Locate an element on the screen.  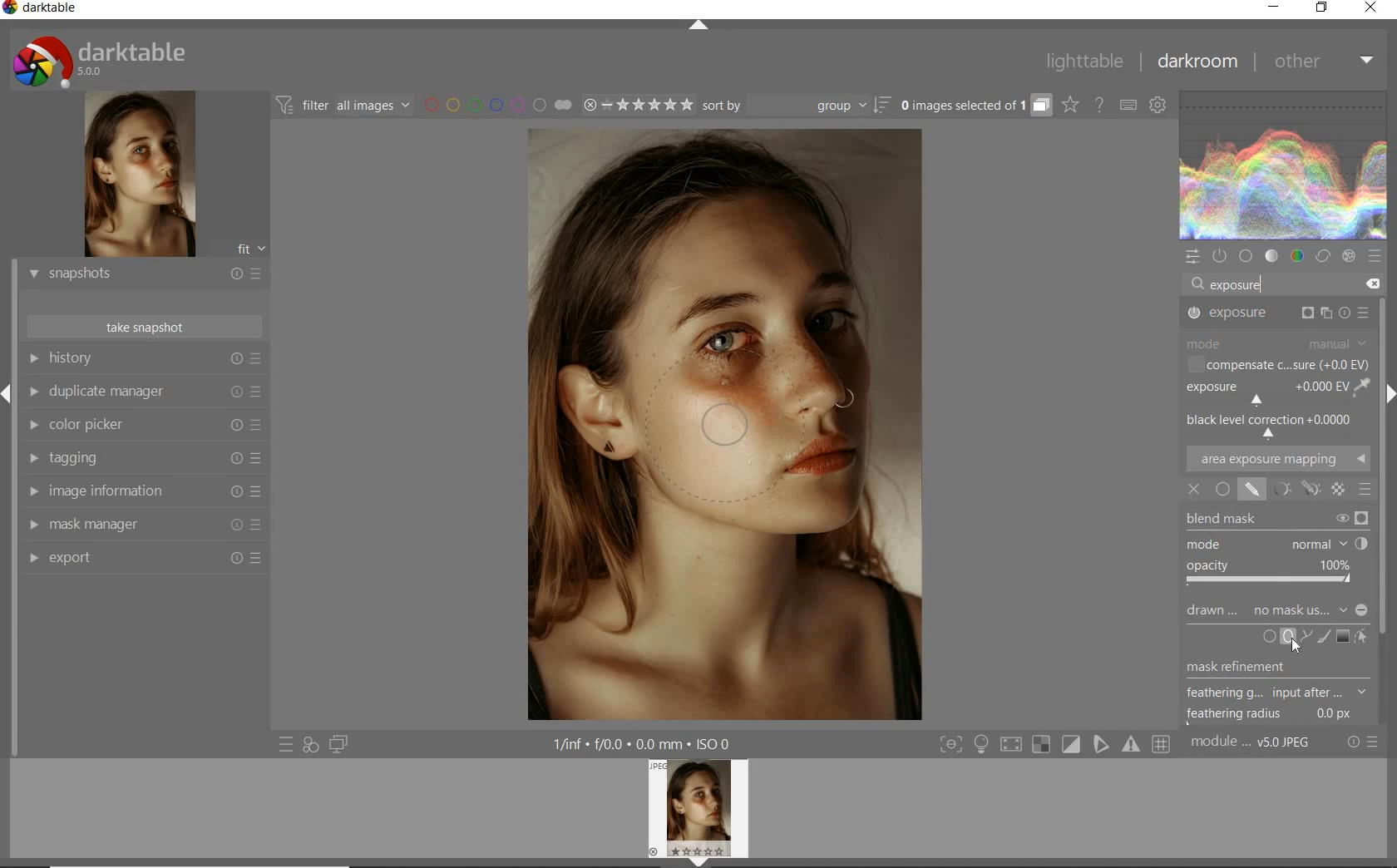
ADD GRADIENT is located at coordinates (1342, 635).